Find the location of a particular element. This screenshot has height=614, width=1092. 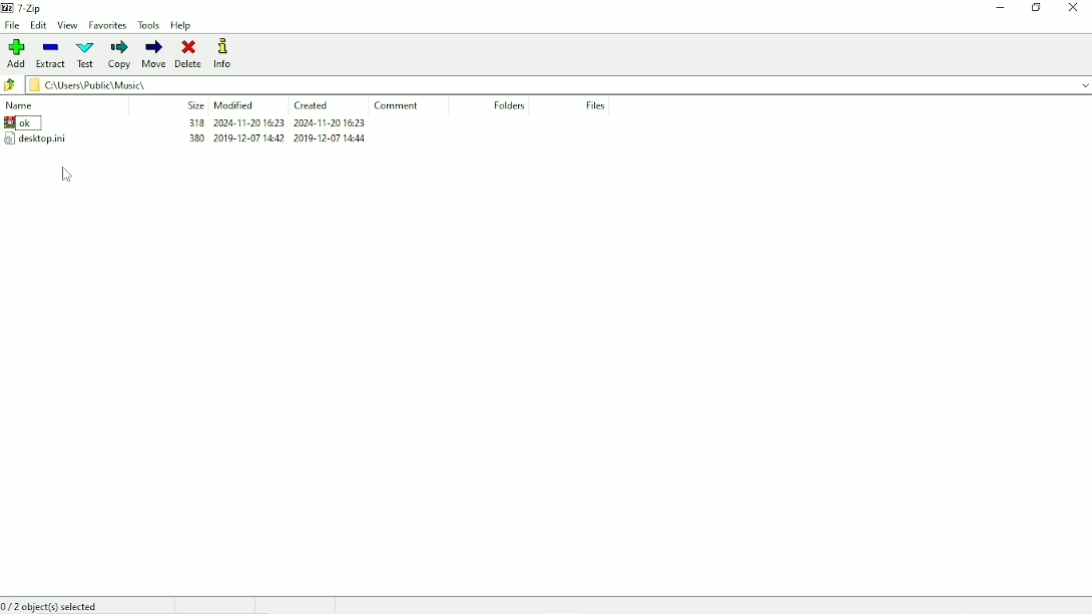

Back is located at coordinates (11, 85).